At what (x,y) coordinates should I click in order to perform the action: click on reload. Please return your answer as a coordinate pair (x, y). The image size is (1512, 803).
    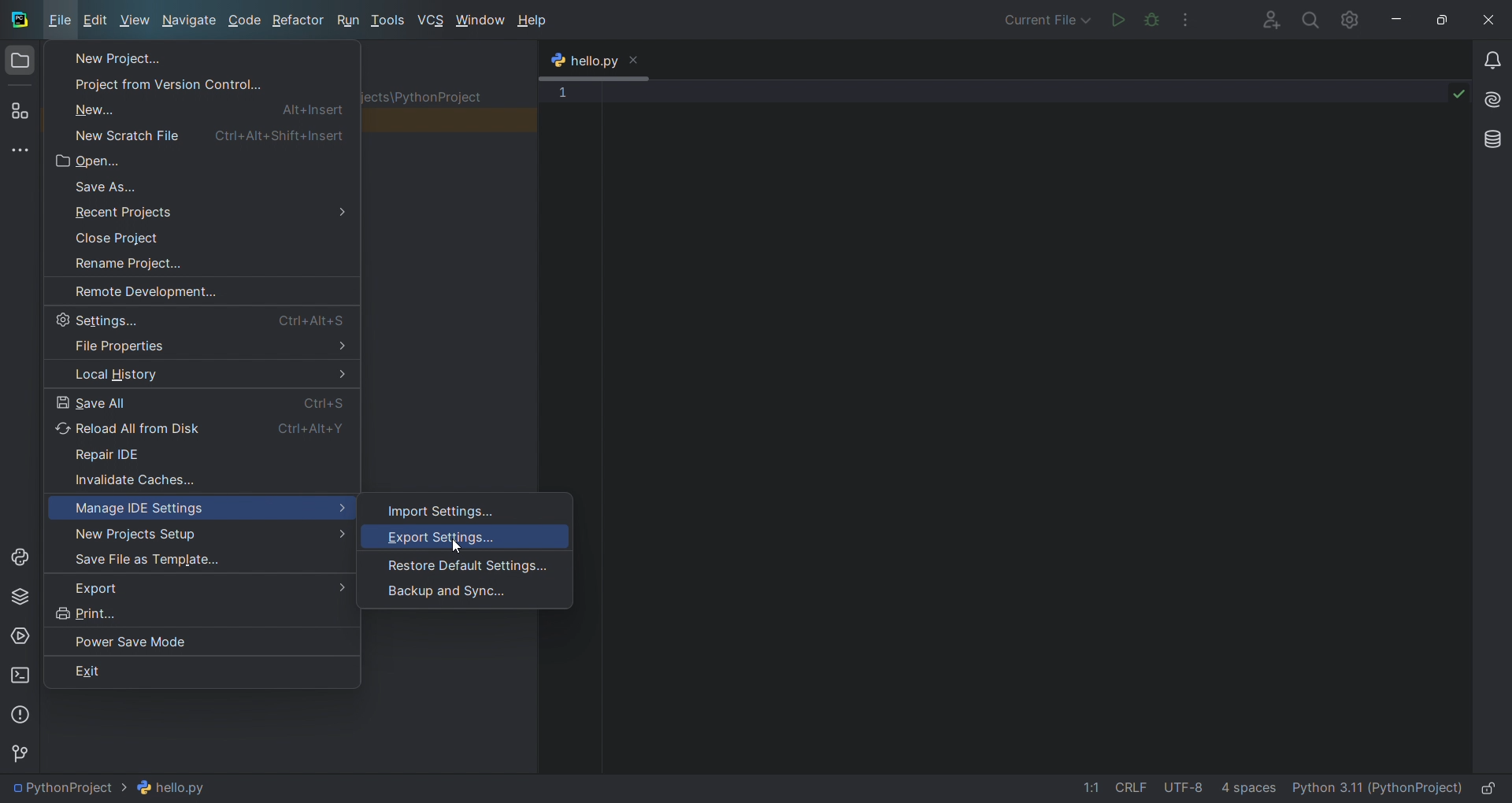
    Looking at the image, I should click on (200, 428).